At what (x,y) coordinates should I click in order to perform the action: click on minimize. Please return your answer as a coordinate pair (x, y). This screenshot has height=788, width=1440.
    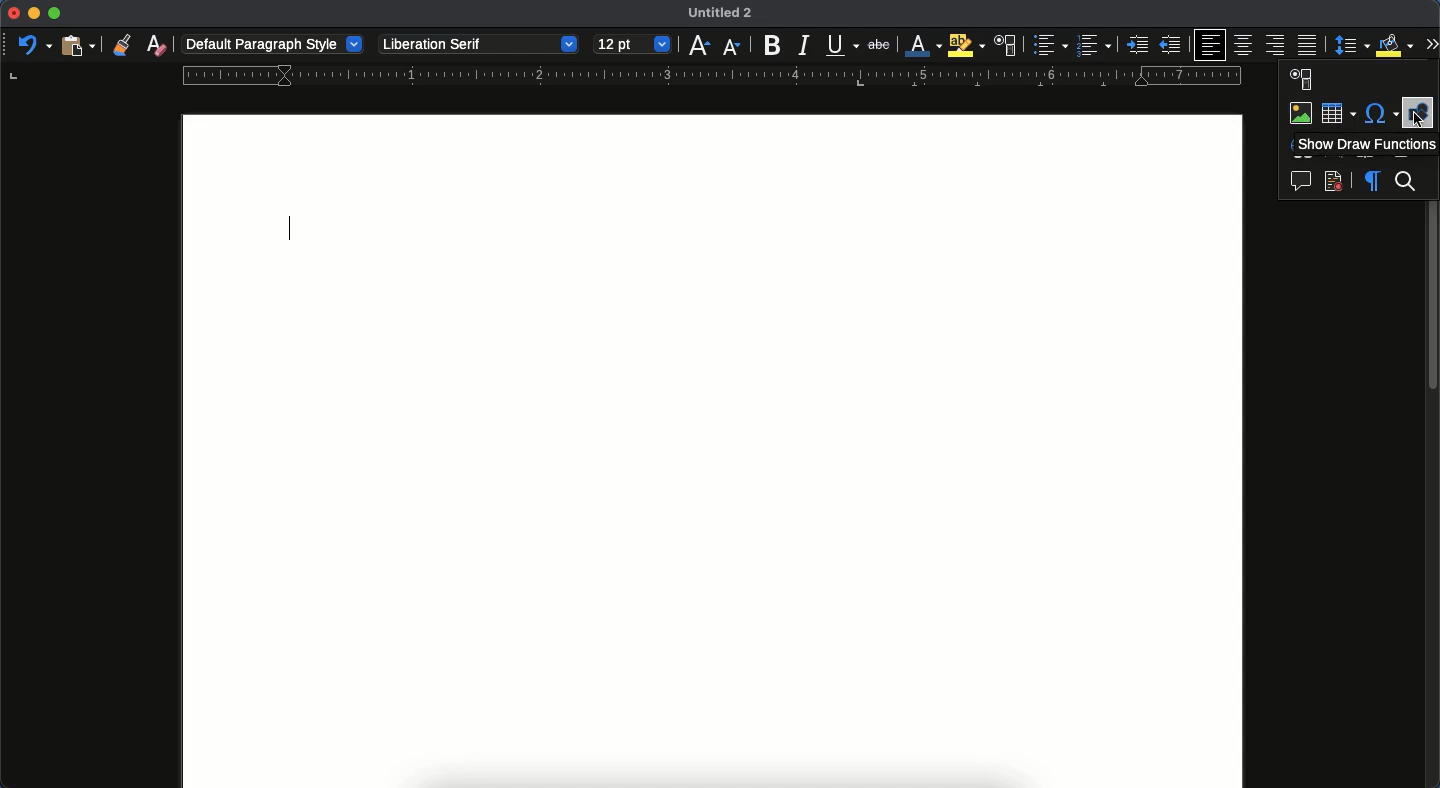
    Looking at the image, I should click on (34, 13).